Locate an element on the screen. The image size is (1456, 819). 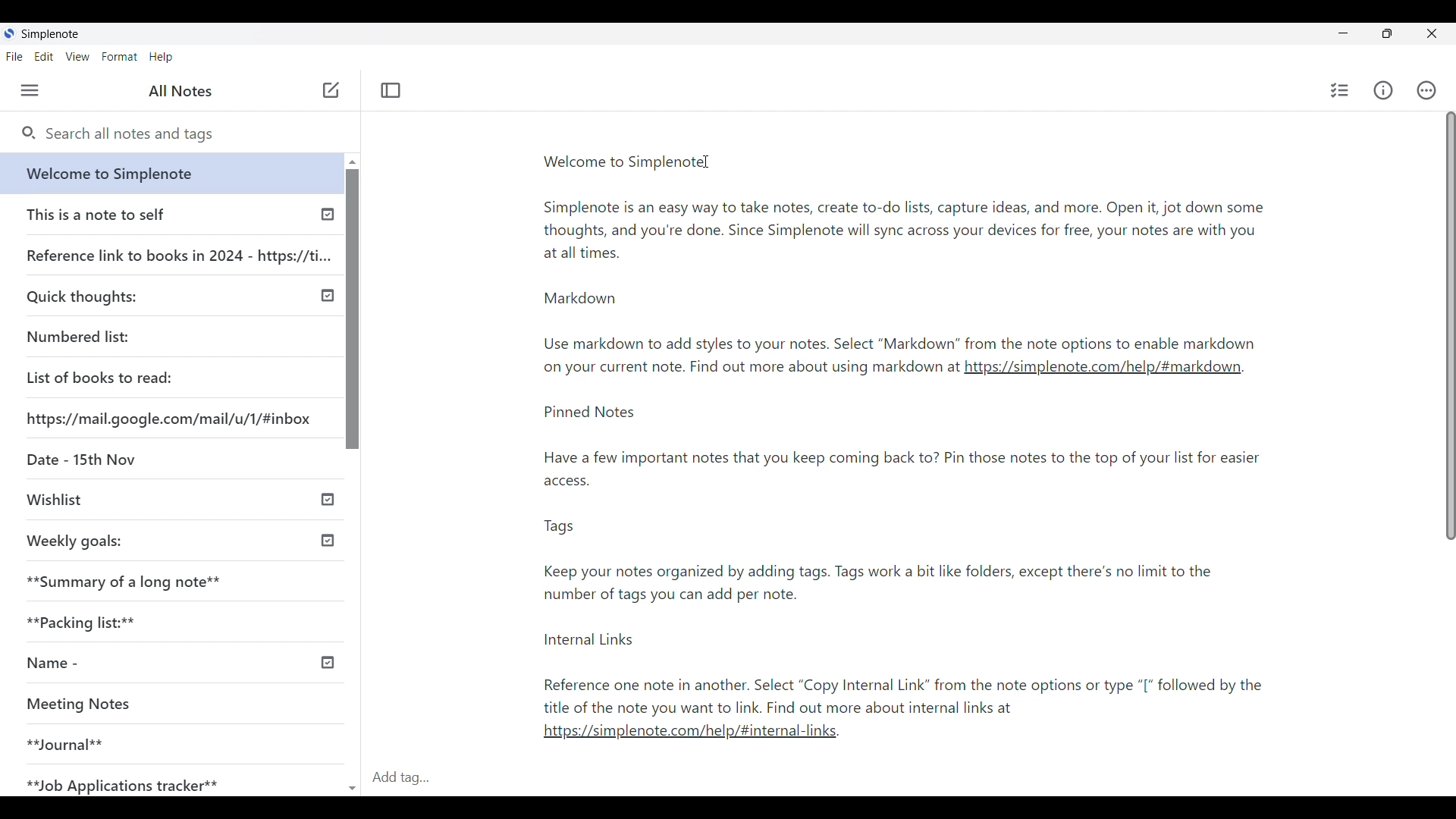
Vertical slide bar for noted made earlier is located at coordinates (350, 309).